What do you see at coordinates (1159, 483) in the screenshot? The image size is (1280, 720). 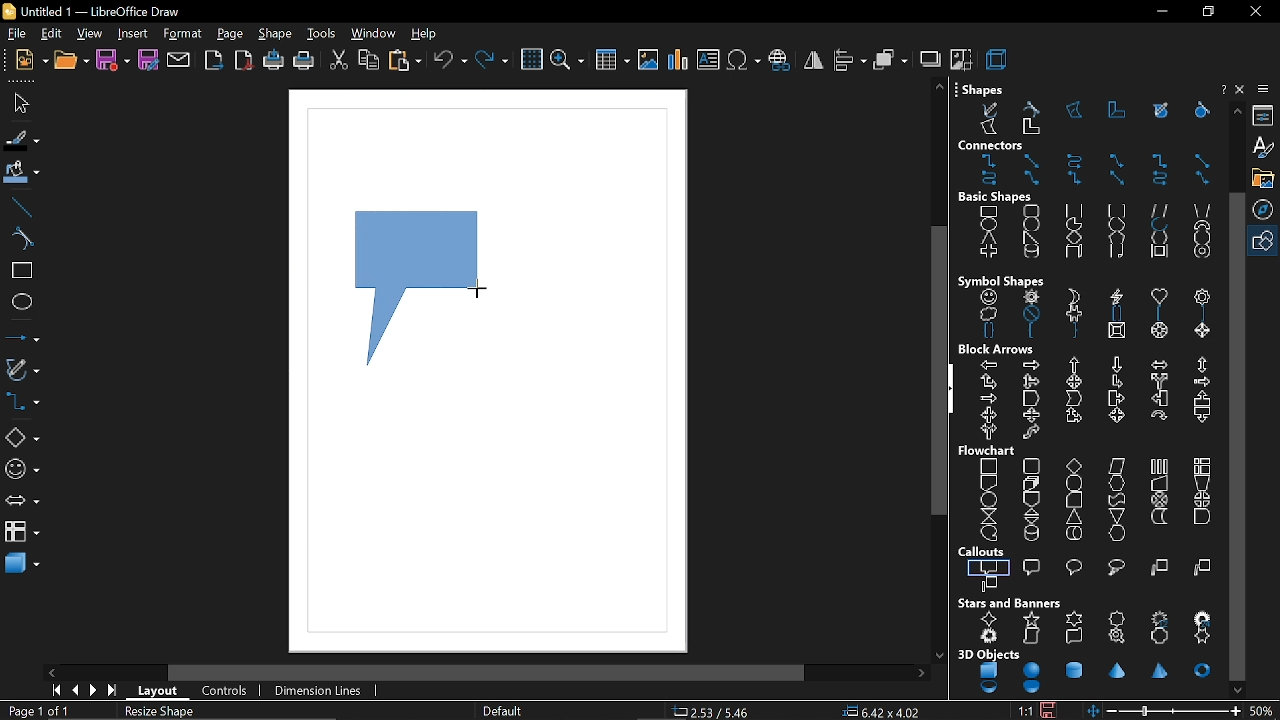 I see `manual input` at bounding box center [1159, 483].